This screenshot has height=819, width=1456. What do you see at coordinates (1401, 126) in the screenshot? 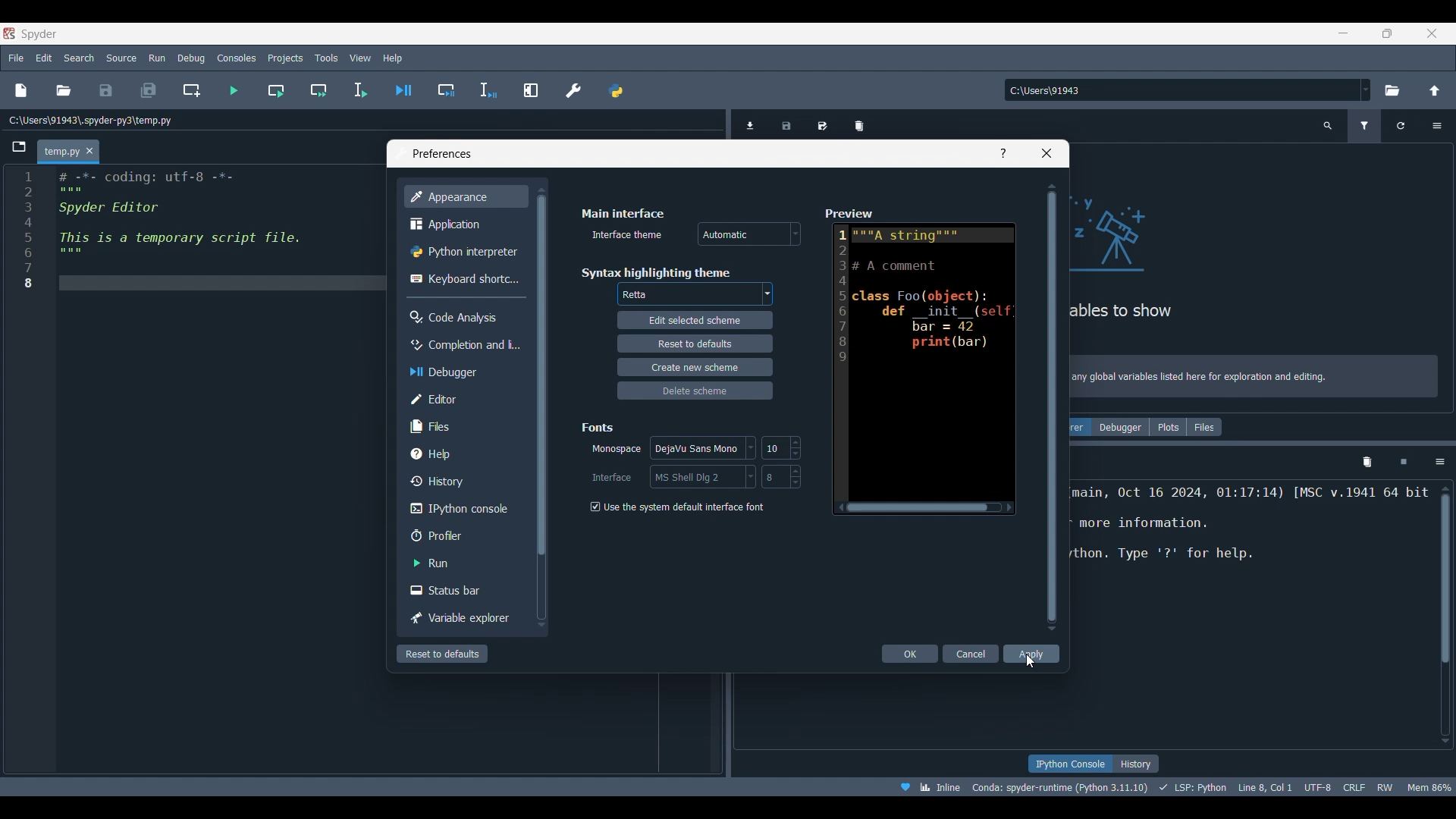
I see `Refresh variables` at bounding box center [1401, 126].